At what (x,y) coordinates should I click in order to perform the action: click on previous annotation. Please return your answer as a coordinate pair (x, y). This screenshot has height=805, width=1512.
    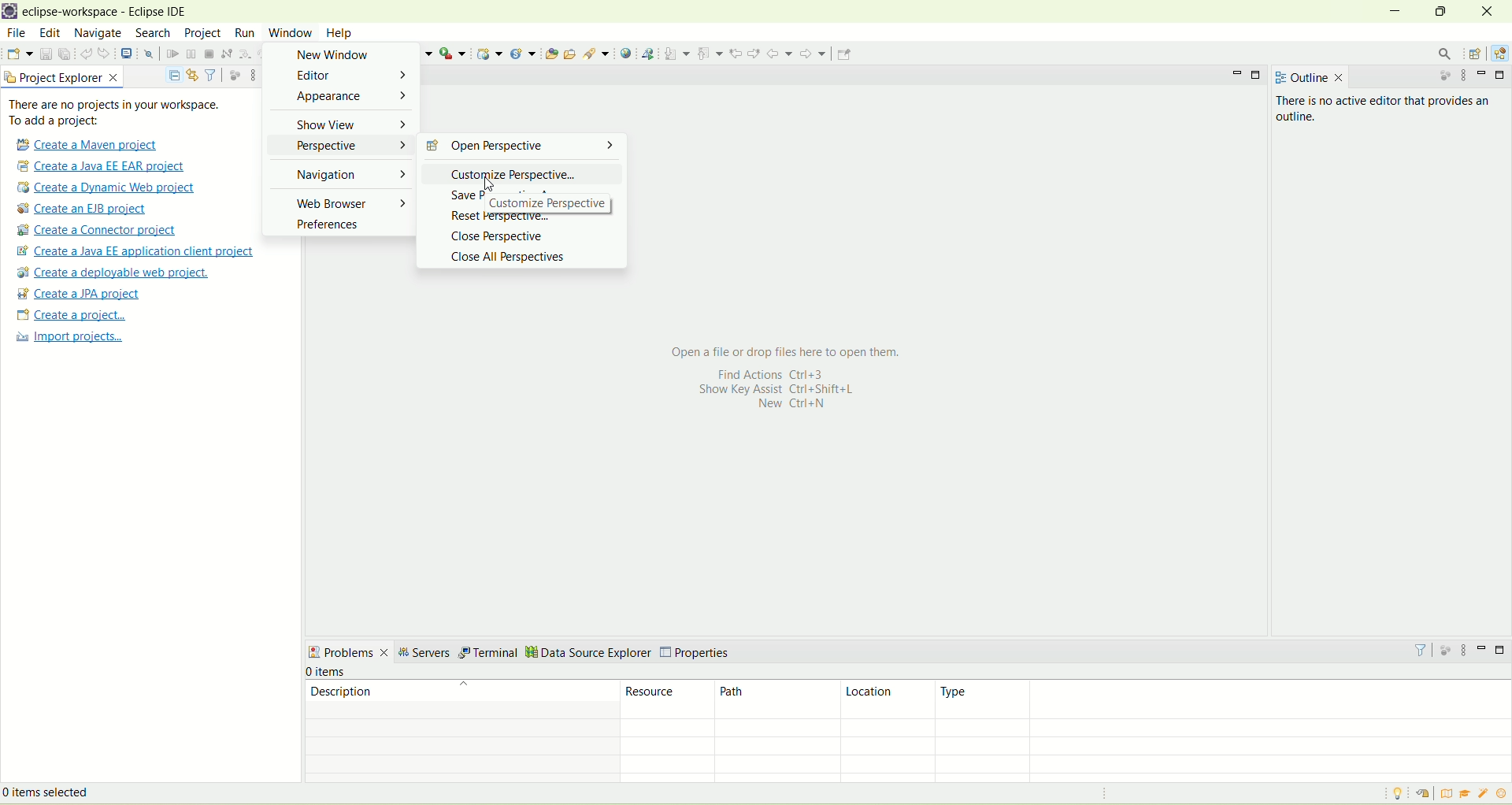
    Looking at the image, I should click on (710, 52).